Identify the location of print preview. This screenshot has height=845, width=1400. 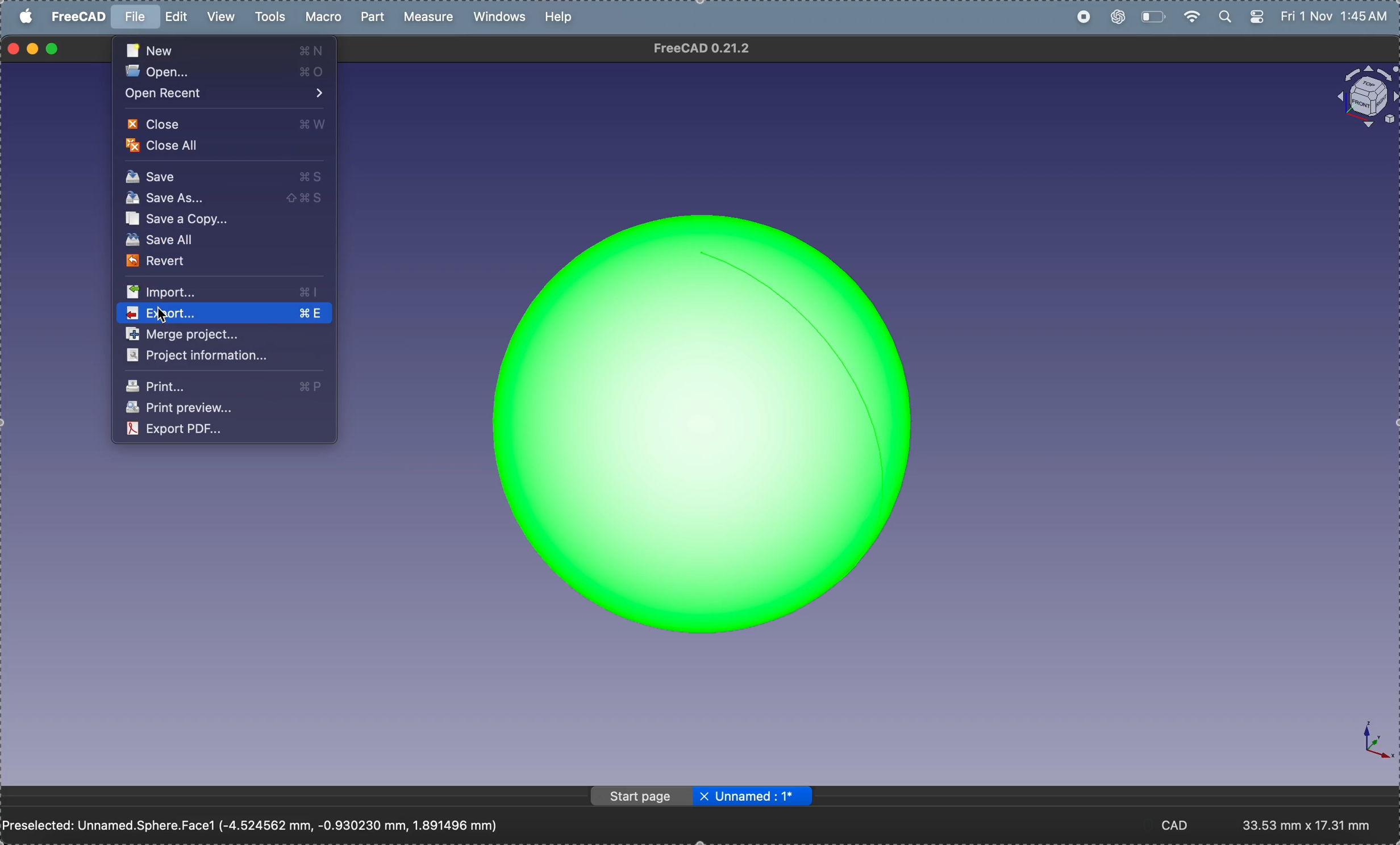
(221, 409).